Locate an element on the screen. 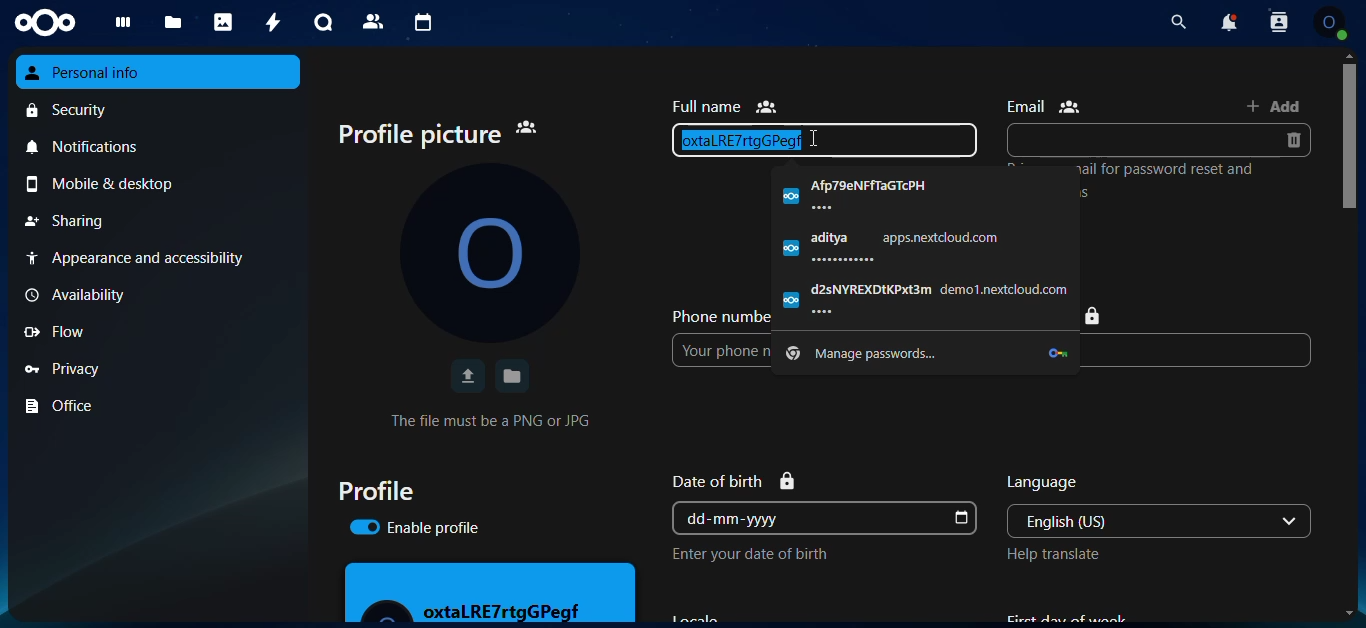  language is located at coordinates (1044, 483).